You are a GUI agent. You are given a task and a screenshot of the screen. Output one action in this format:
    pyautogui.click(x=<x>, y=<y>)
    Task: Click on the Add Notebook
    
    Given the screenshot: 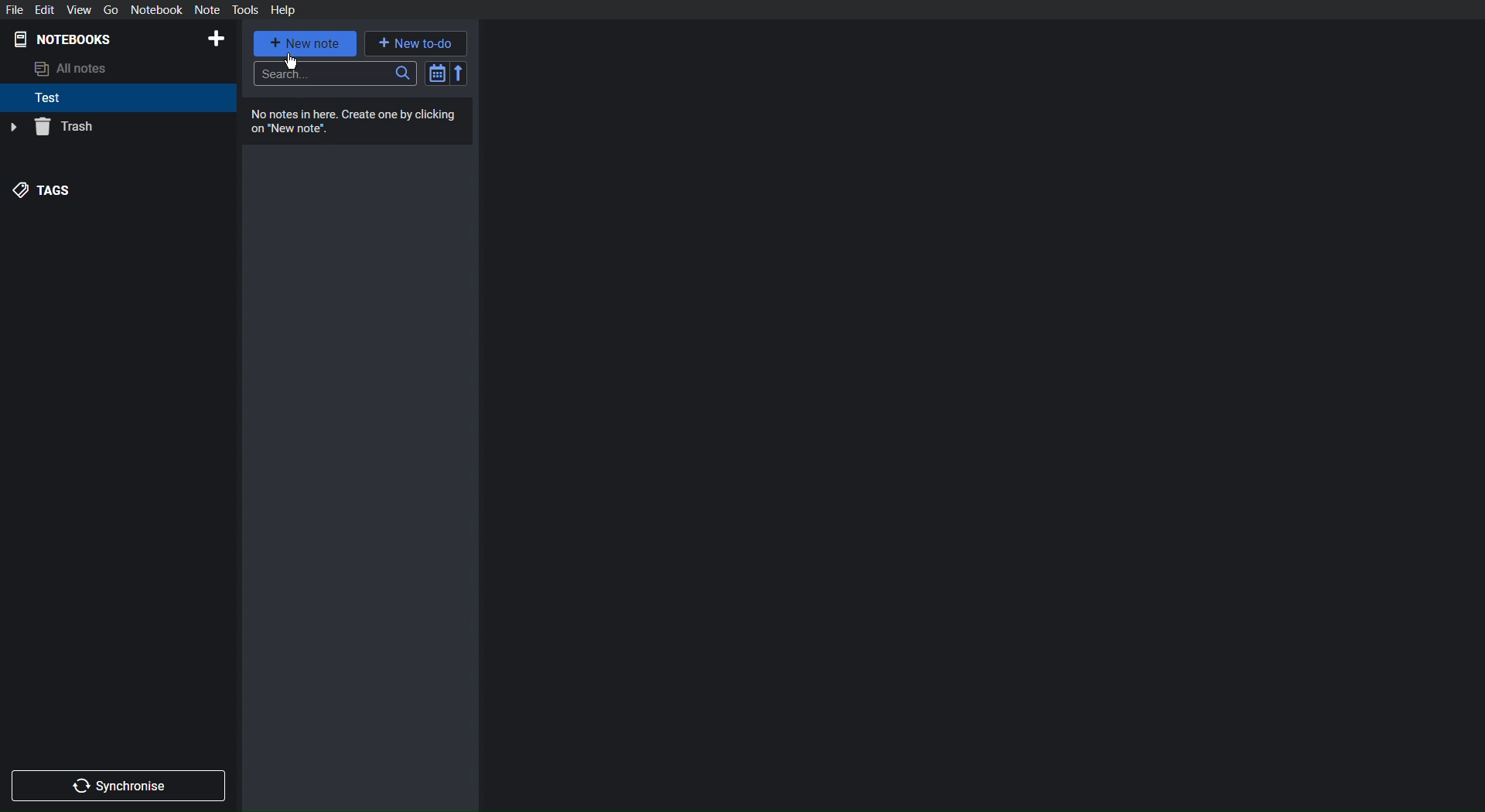 What is the action you would take?
    pyautogui.click(x=217, y=39)
    